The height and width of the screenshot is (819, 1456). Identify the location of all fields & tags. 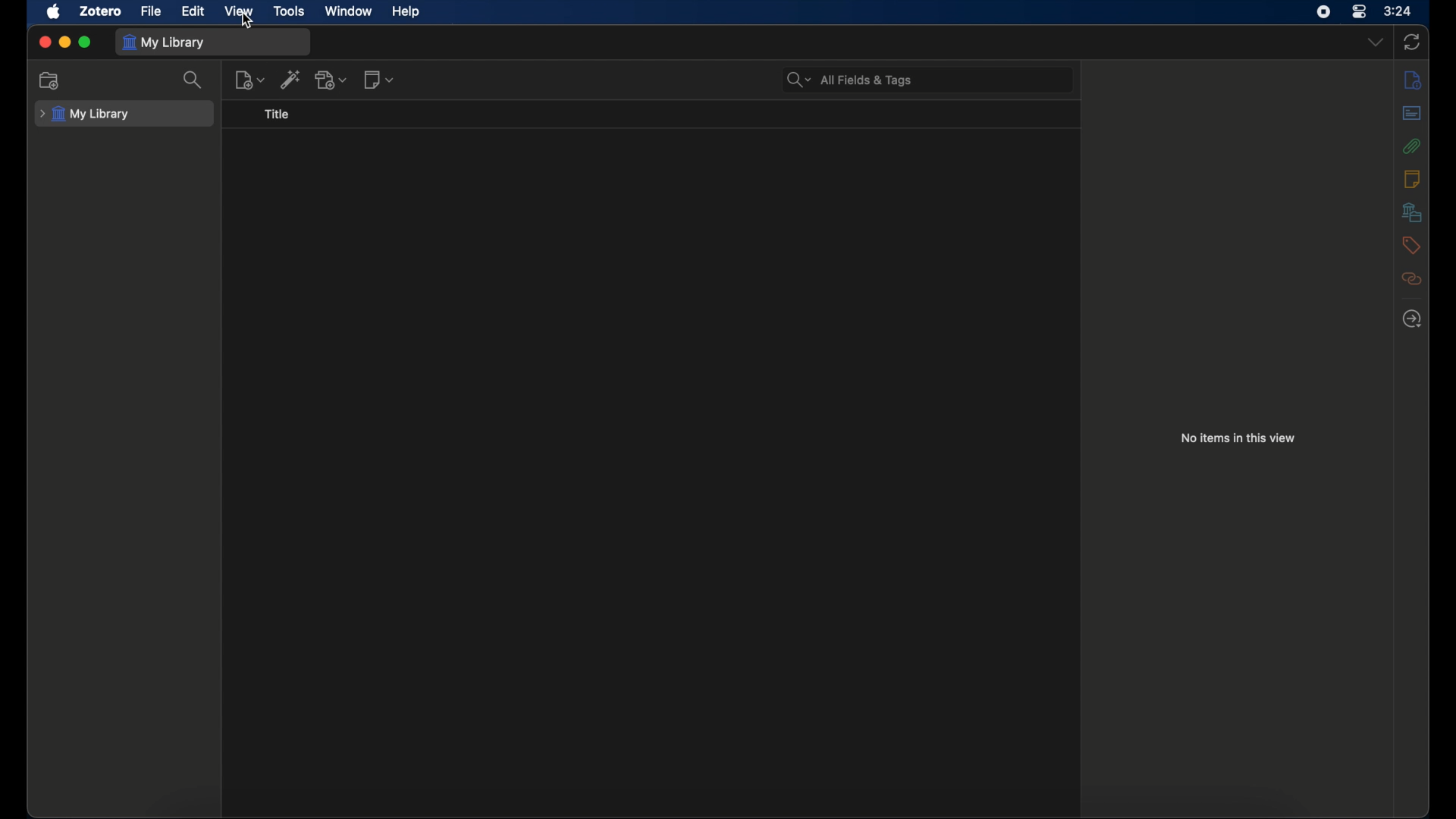
(850, 80).